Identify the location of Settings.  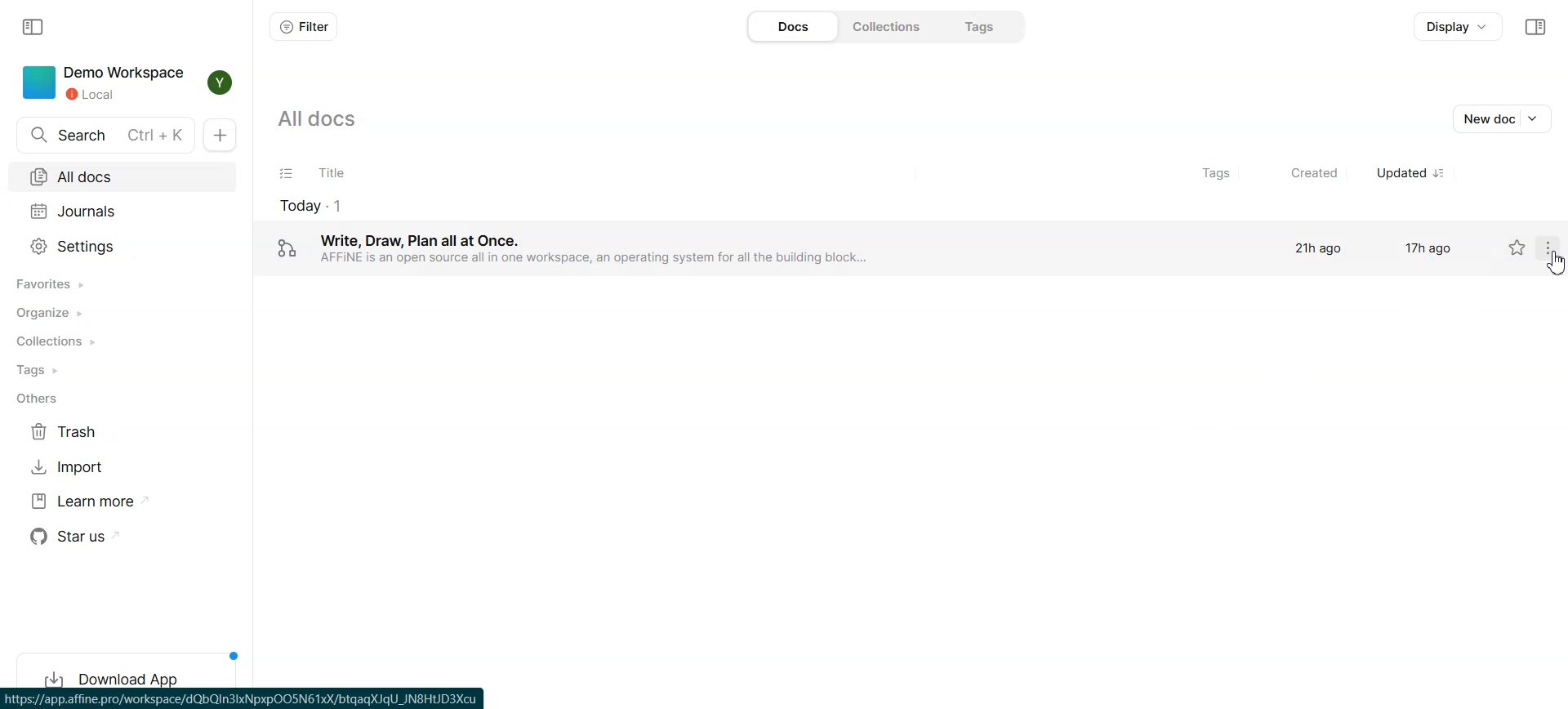
(1548, 247).